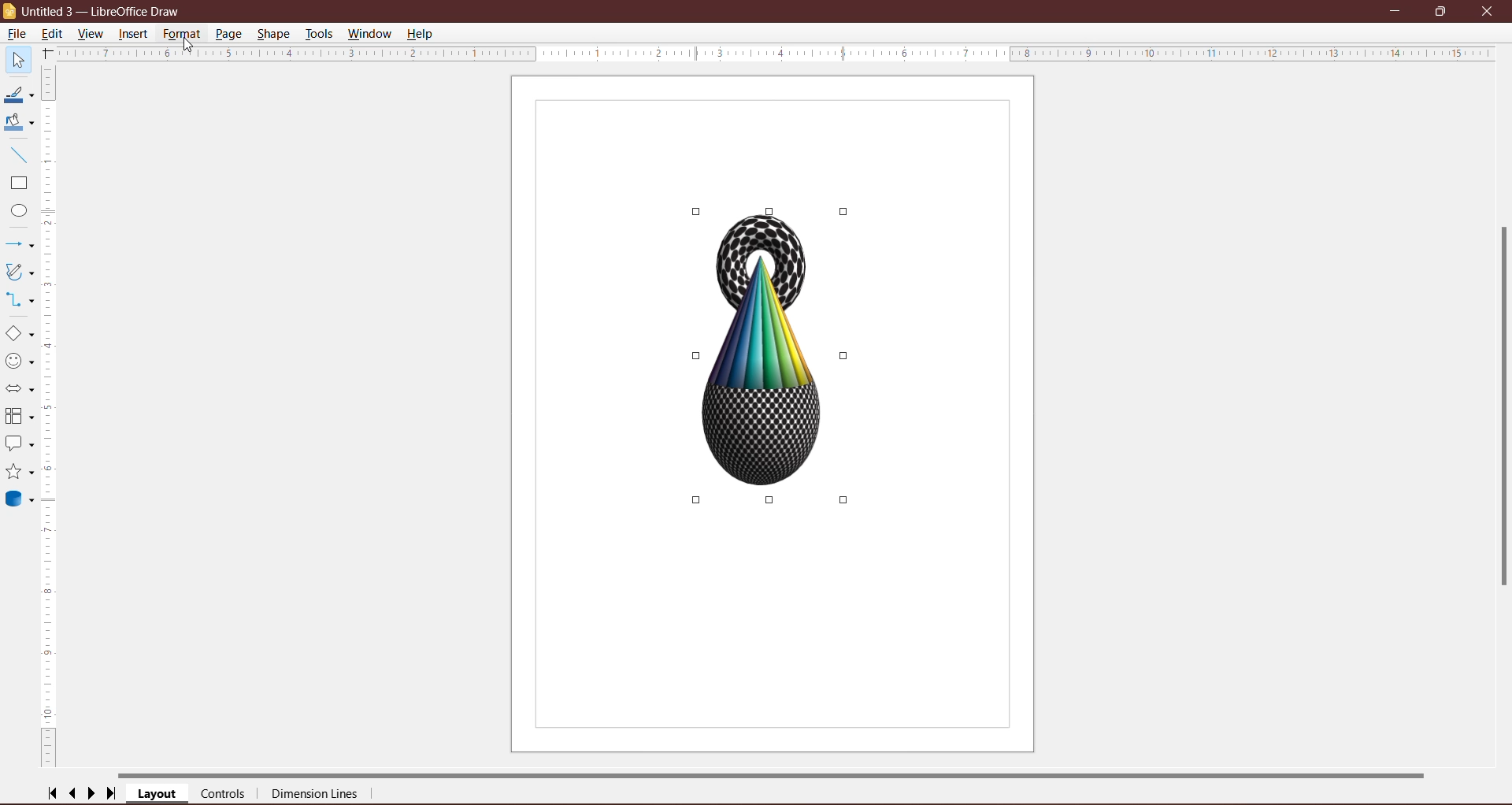 The height and width of the screenshot is (805, 1512). Describe the element at coordinates (776, 774) in the screenshot. I see `Horizontal Scroll Bar` at that location.